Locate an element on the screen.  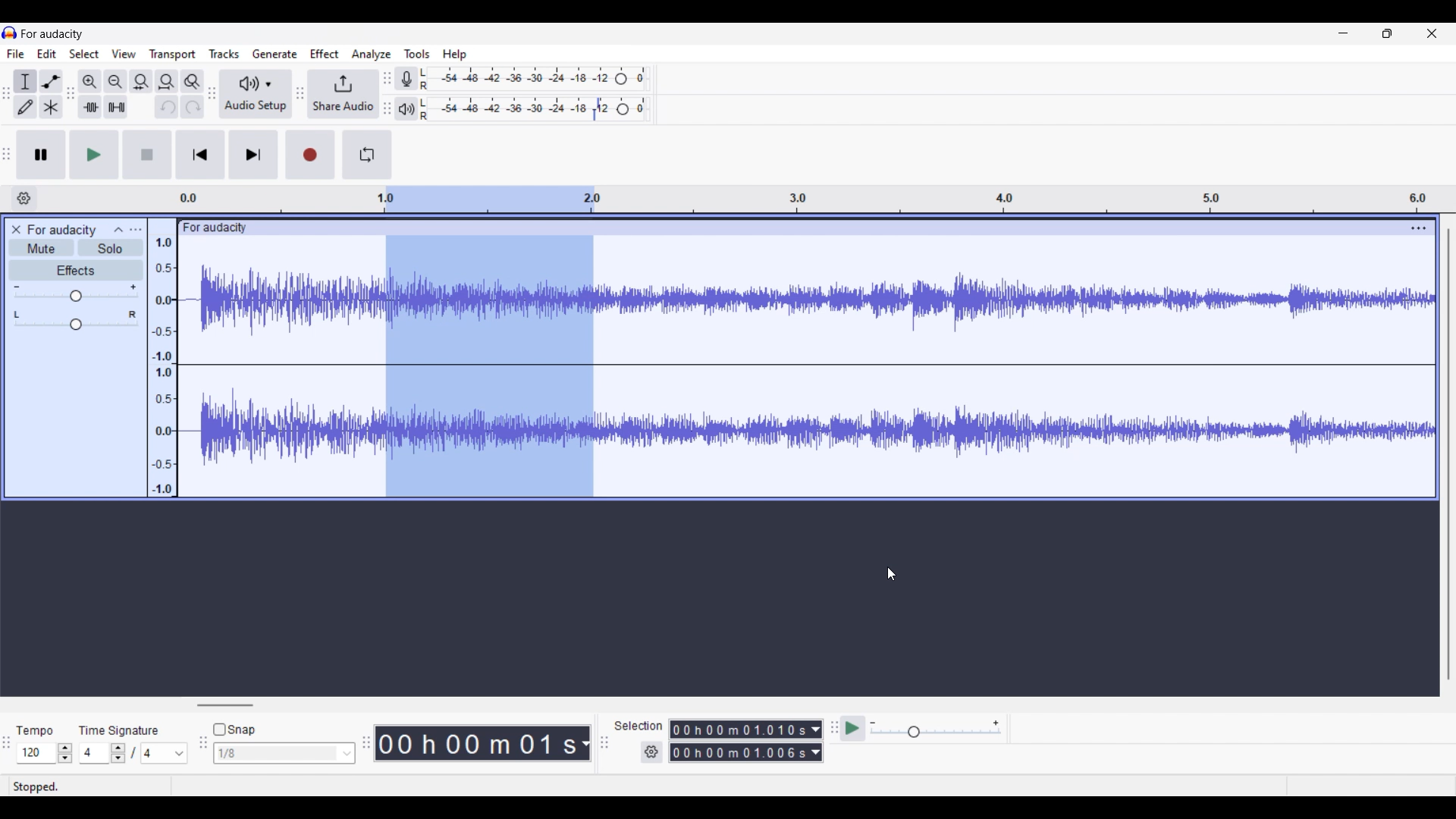
Effects is located at coordinates (75, 270).